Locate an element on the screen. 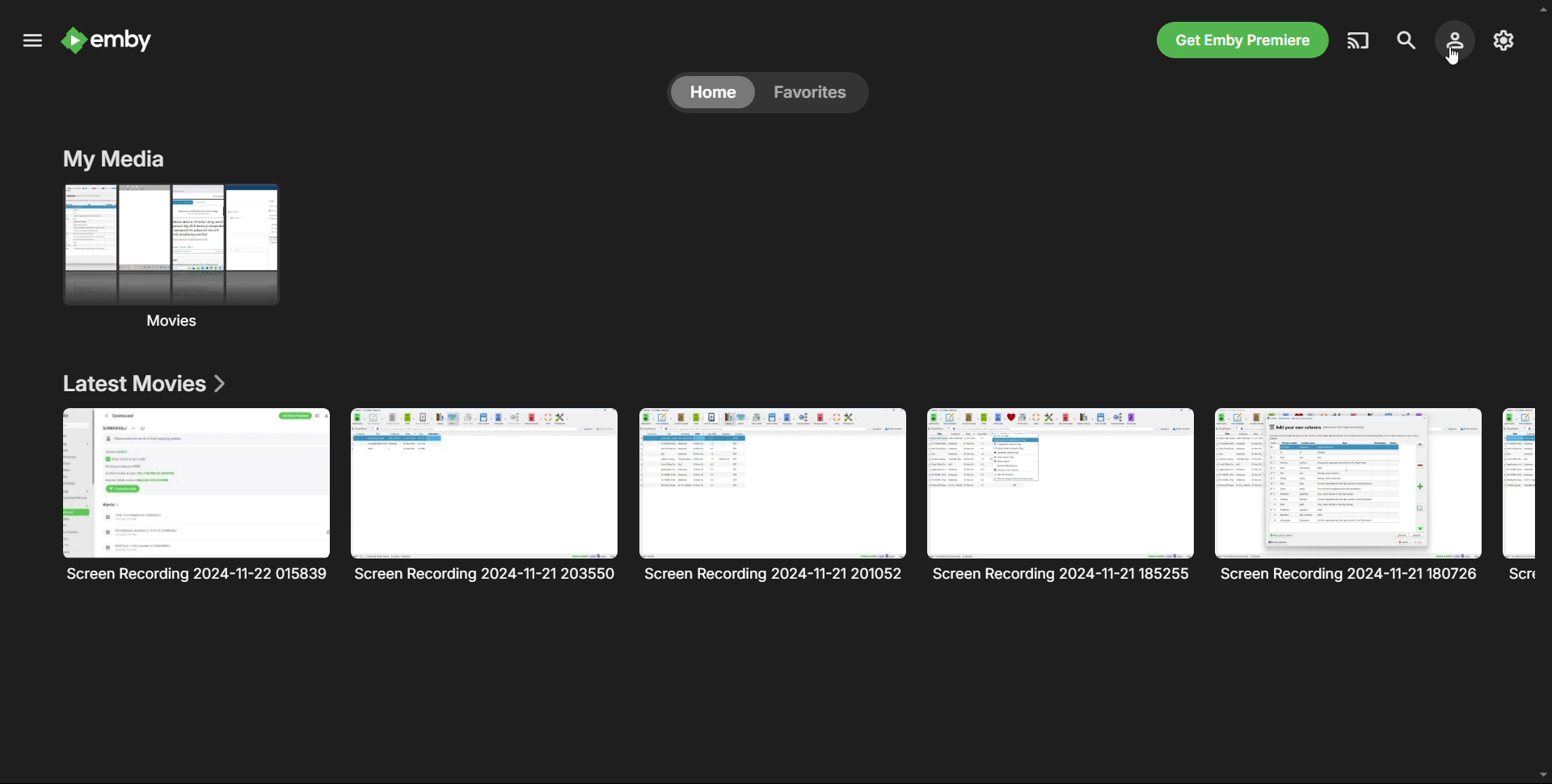  account is located at coordinates (1453, 39).